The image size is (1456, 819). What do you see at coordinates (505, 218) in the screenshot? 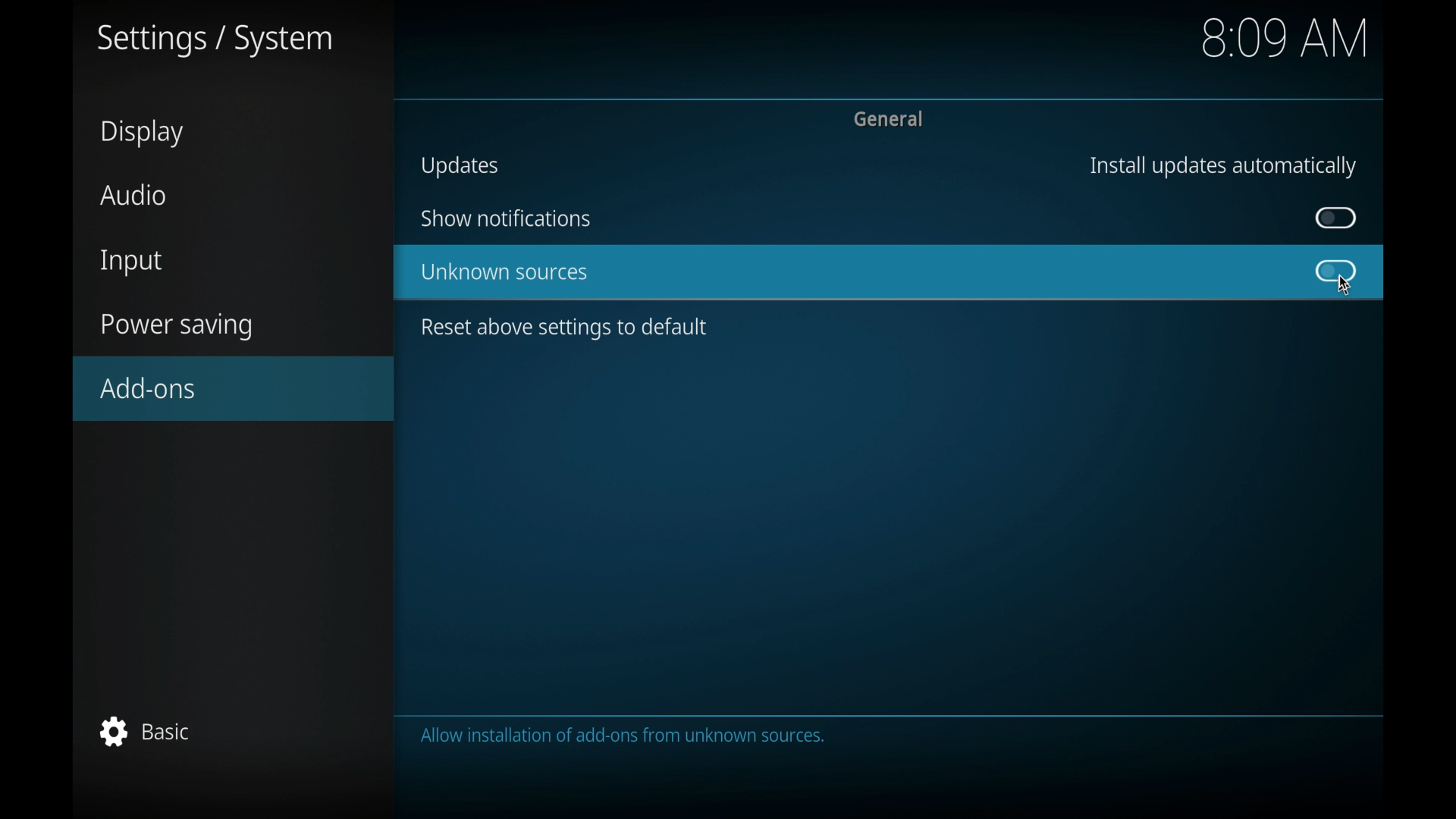
I see `show notifications` at bounding box center [505, 218].